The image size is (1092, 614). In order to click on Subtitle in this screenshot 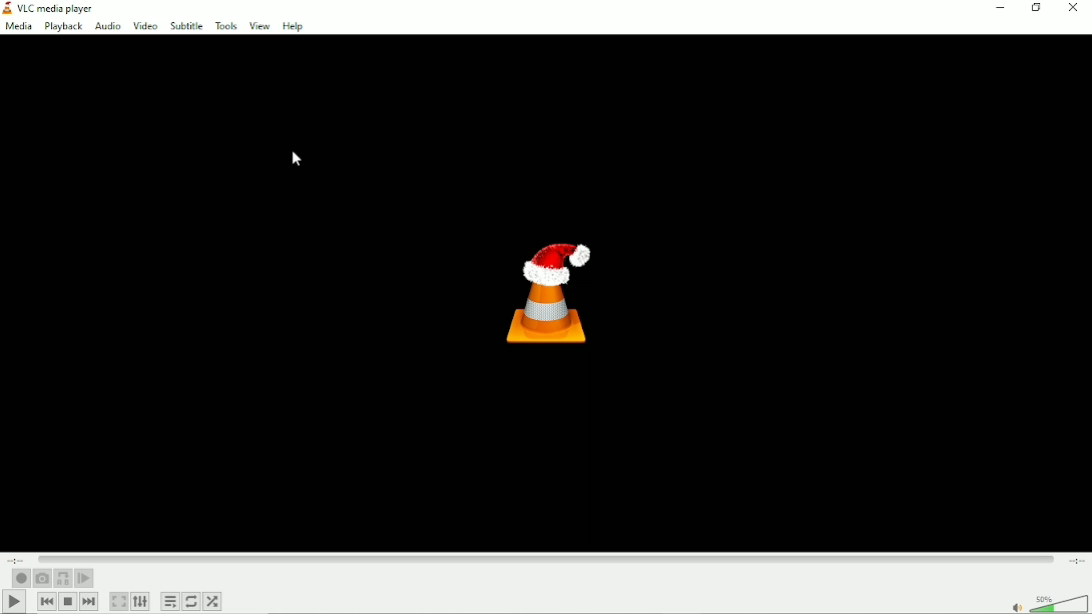, I will do `click(186, 25)`.